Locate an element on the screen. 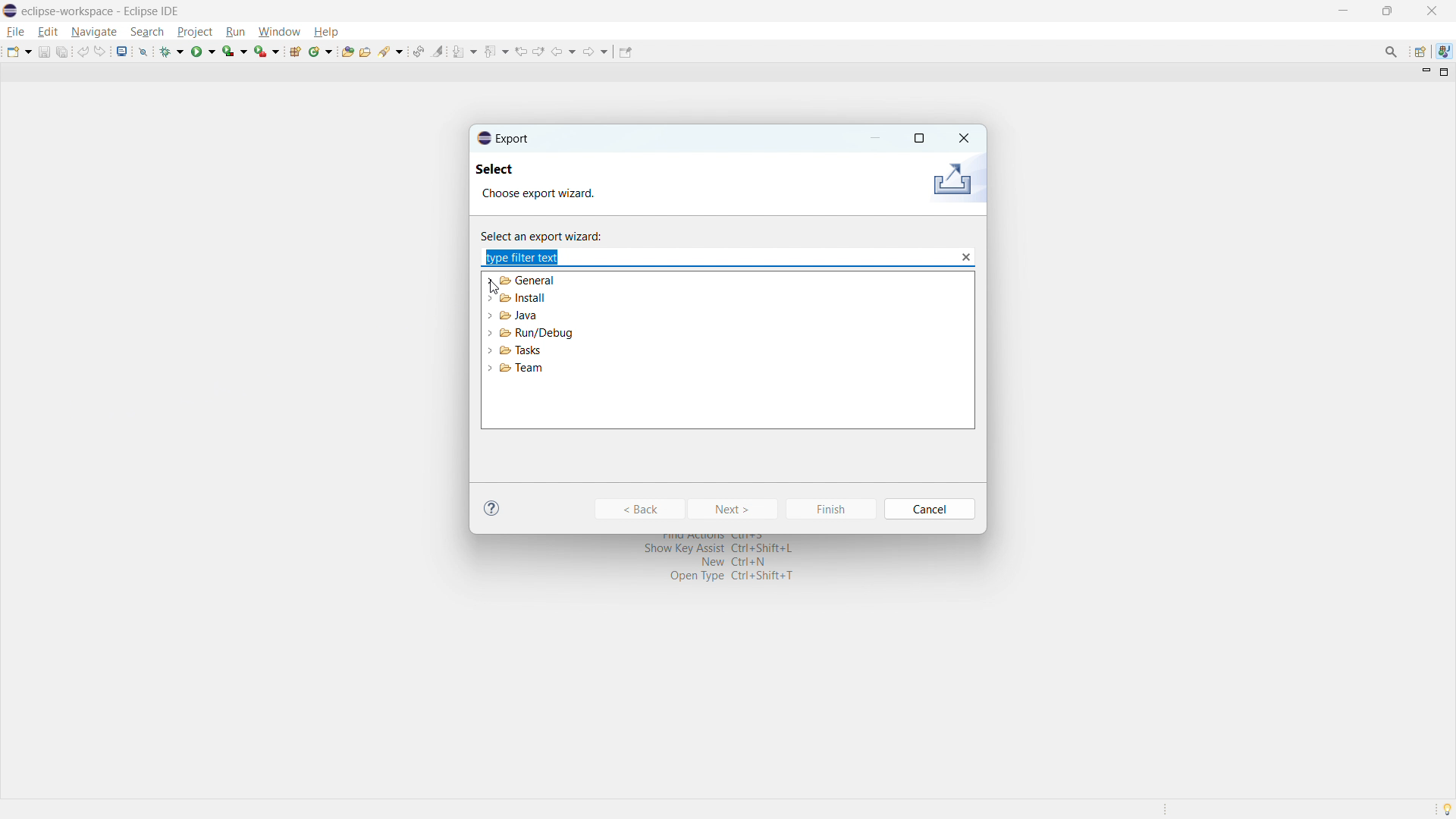  search is located at coordinates (147, 32).